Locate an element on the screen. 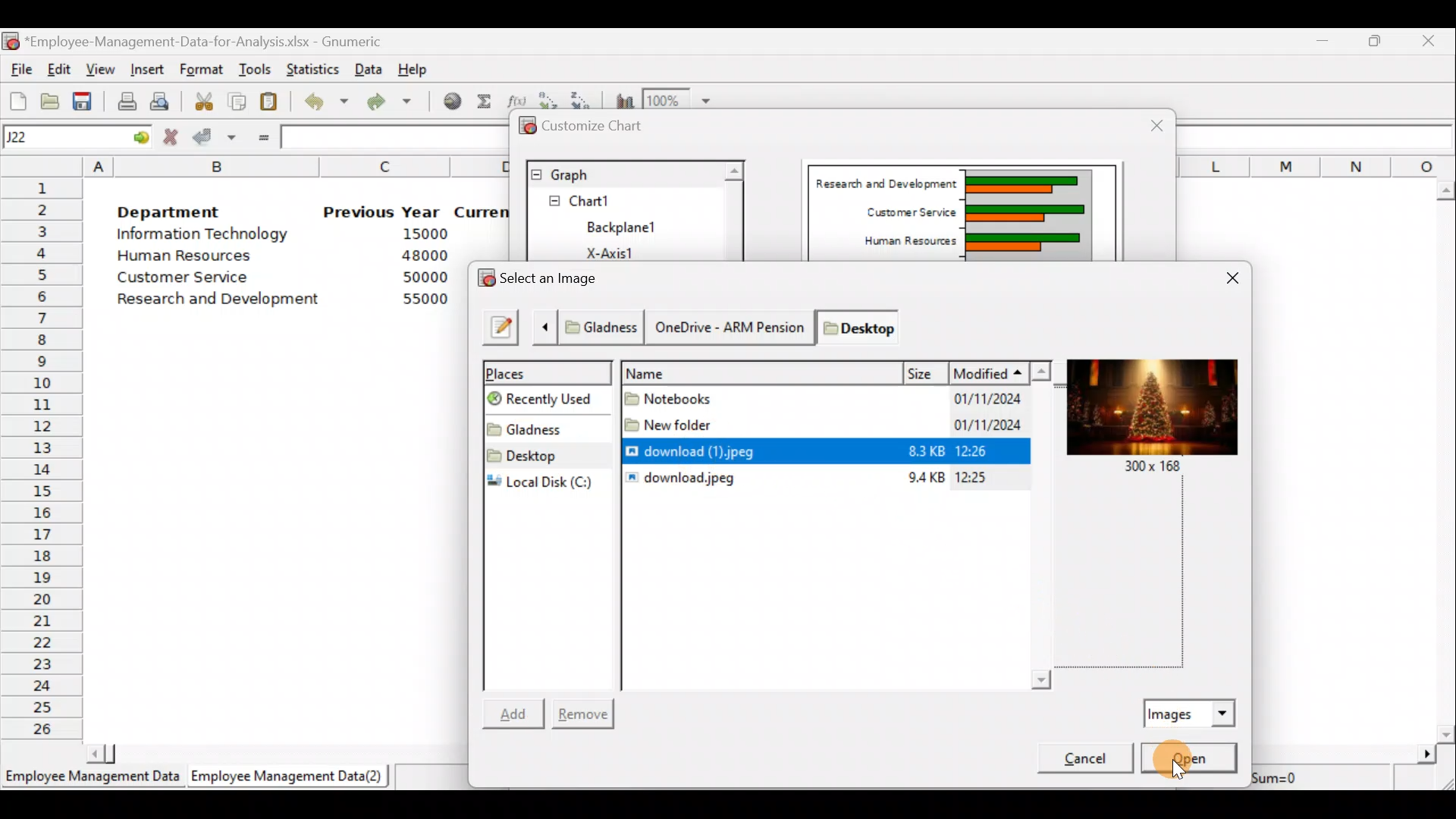 The image size is (1456, 819). Data is located at coordinates (369, 67).